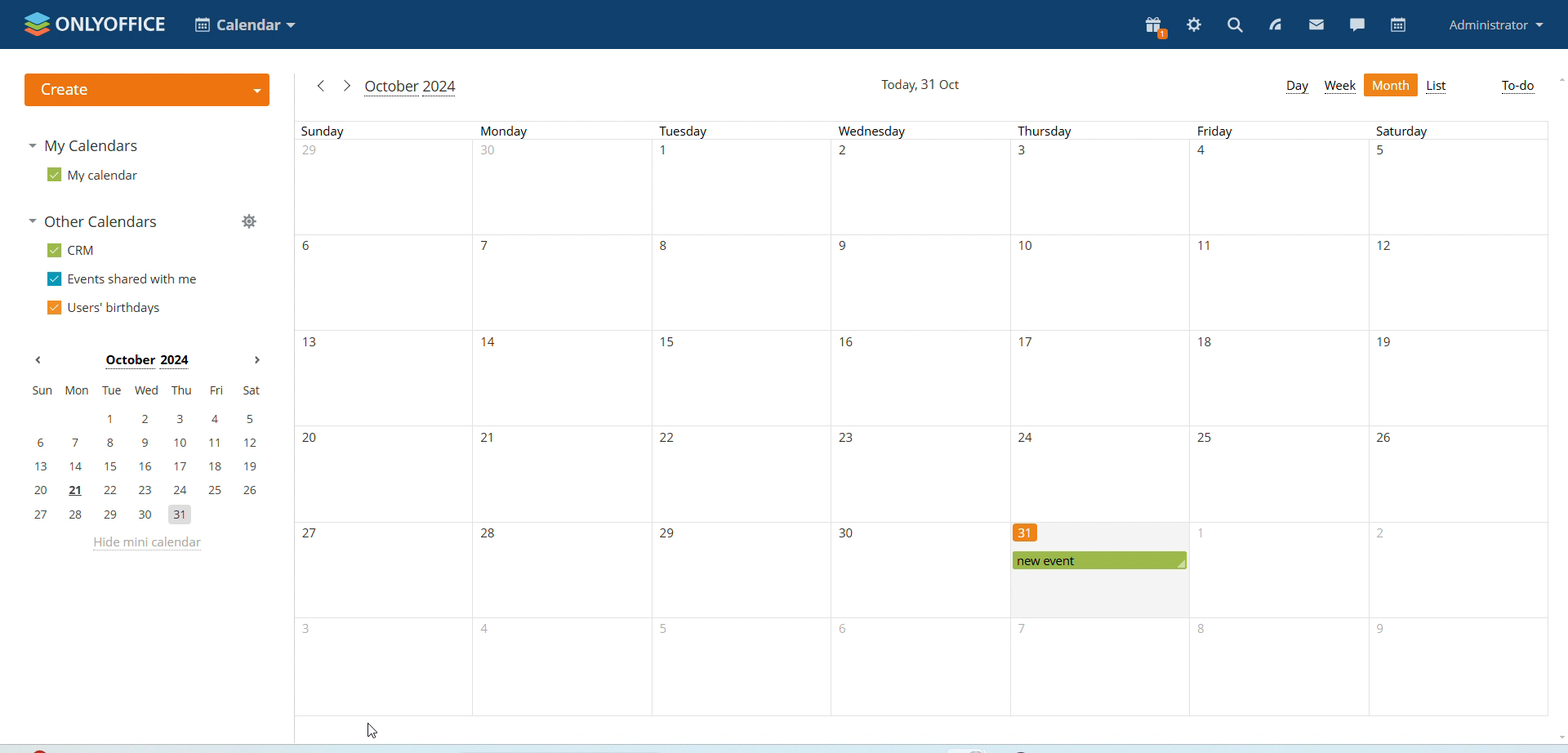 This screenshot has width=1568, height=753. Describe the element at coordinates (919, 84) in the screenshot. I see `today, 31 oct` at that location.